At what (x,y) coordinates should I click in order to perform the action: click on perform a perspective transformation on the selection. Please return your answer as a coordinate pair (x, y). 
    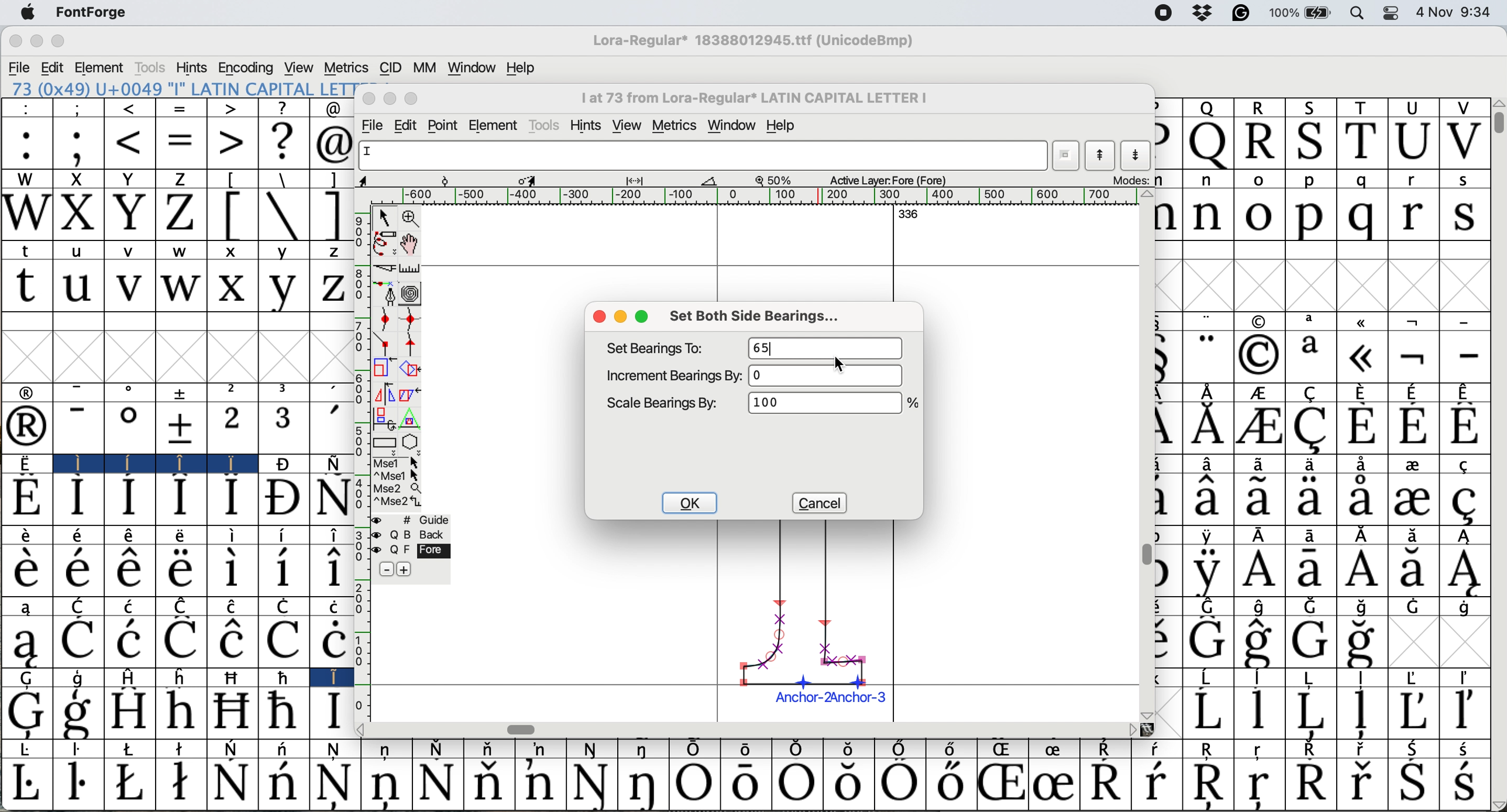
    Looking at the image, I should click on (412, 418).